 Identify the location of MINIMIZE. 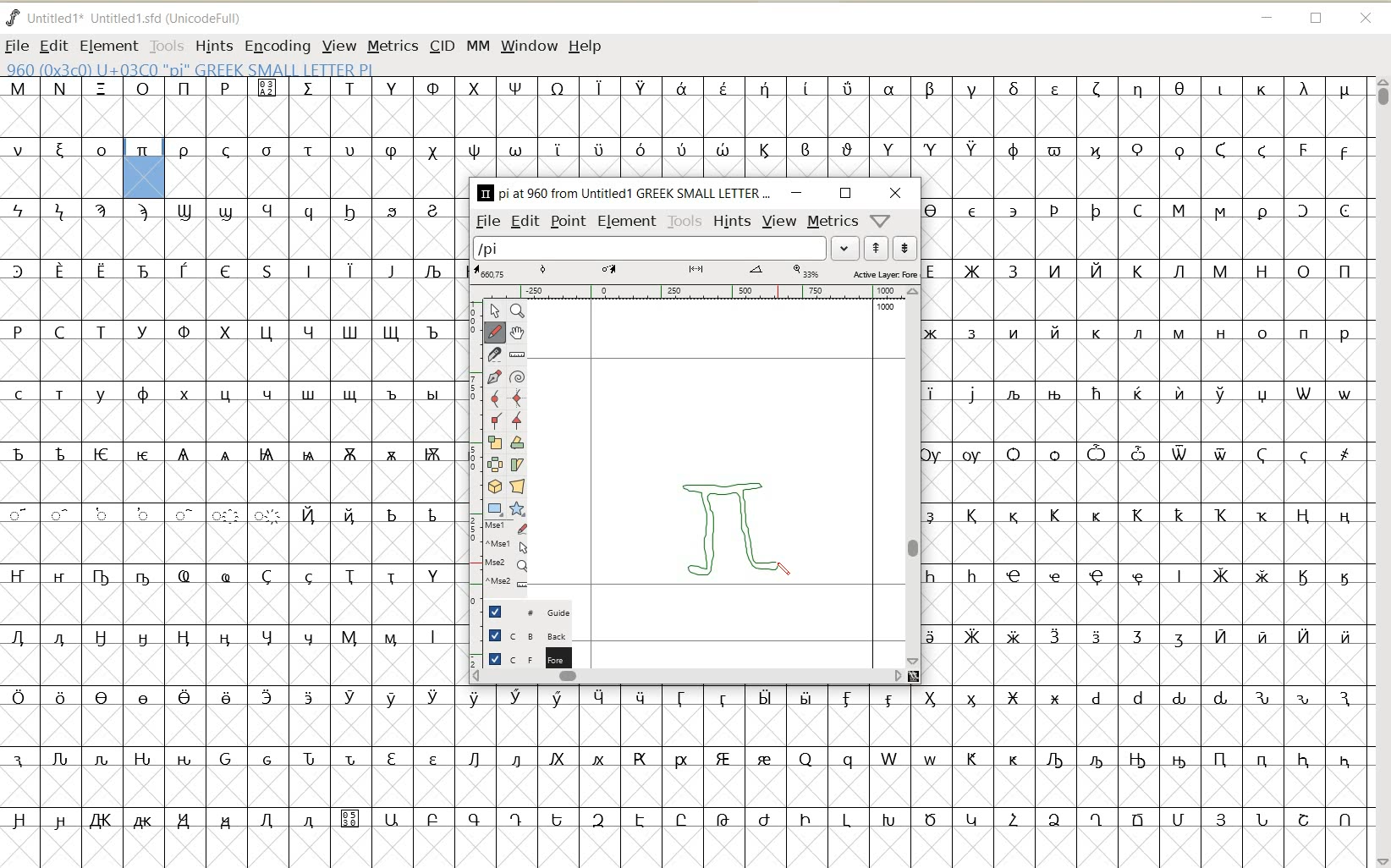
(1267, 18).